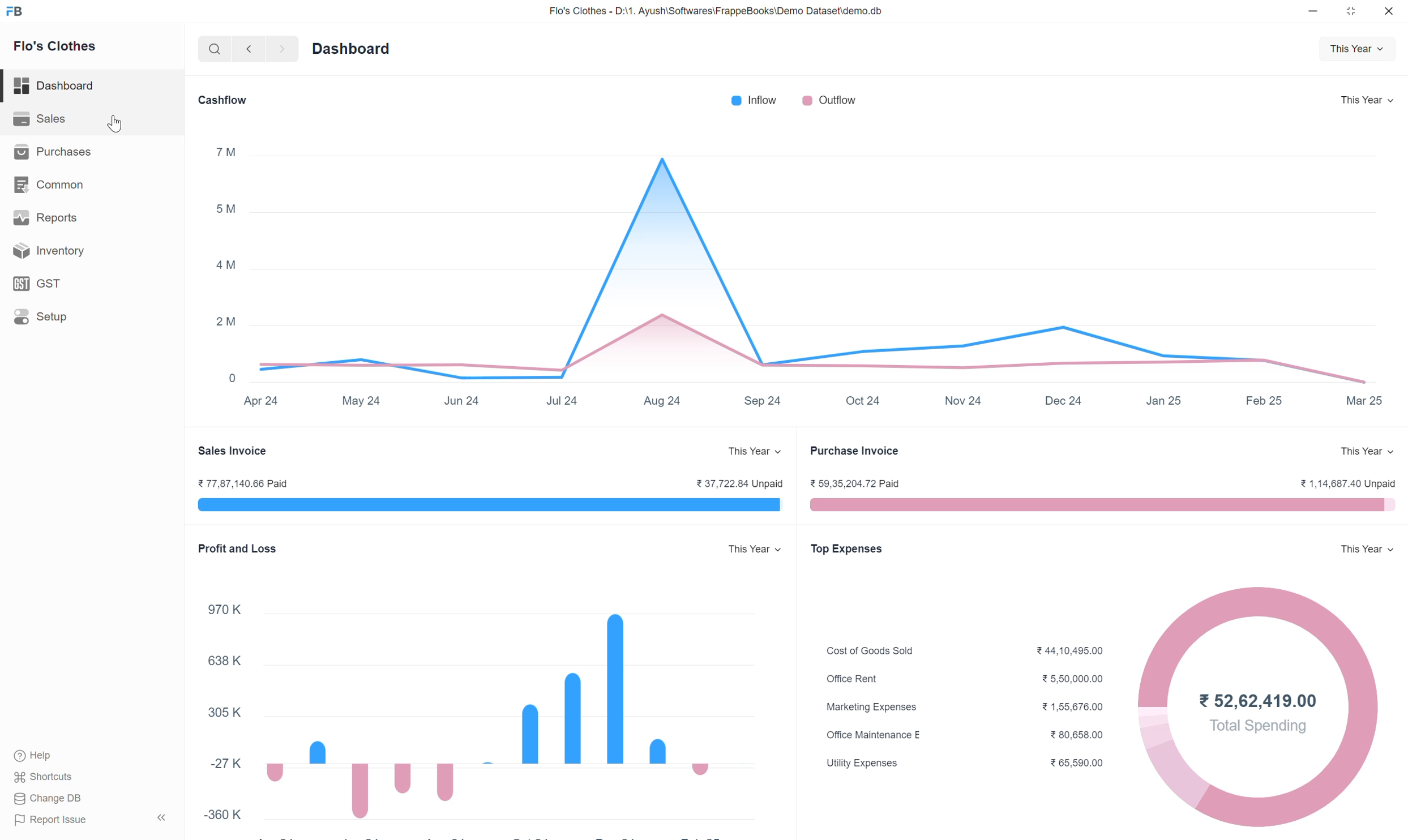 The image size is (1408, 840). What do you see at coordinates (219, 100) in the screenshot?
I see `Cashflow` at bounding box center [219, 100].